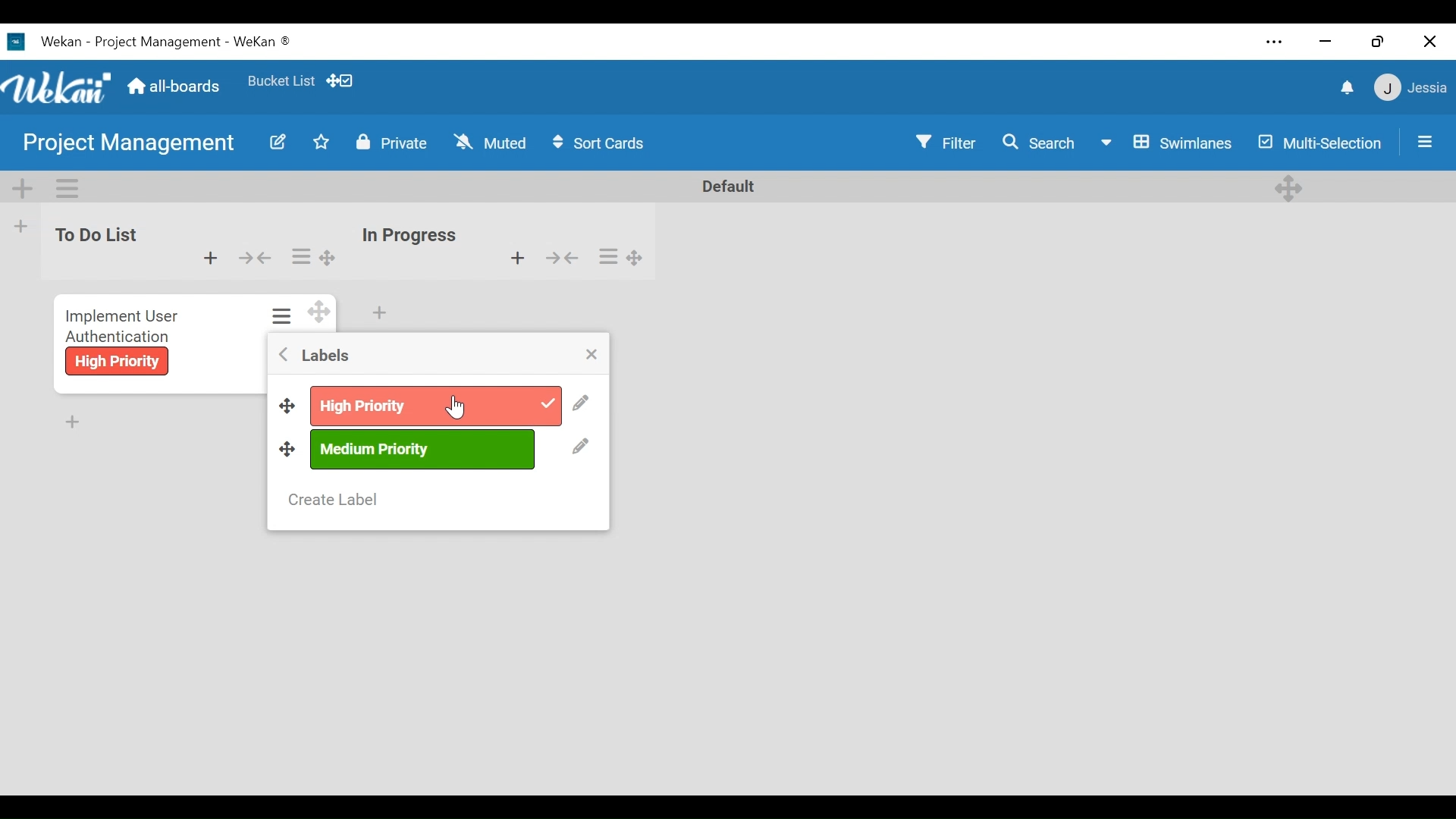 The image size is (1456, 819). I want to click on card actions, so click(282, 315).